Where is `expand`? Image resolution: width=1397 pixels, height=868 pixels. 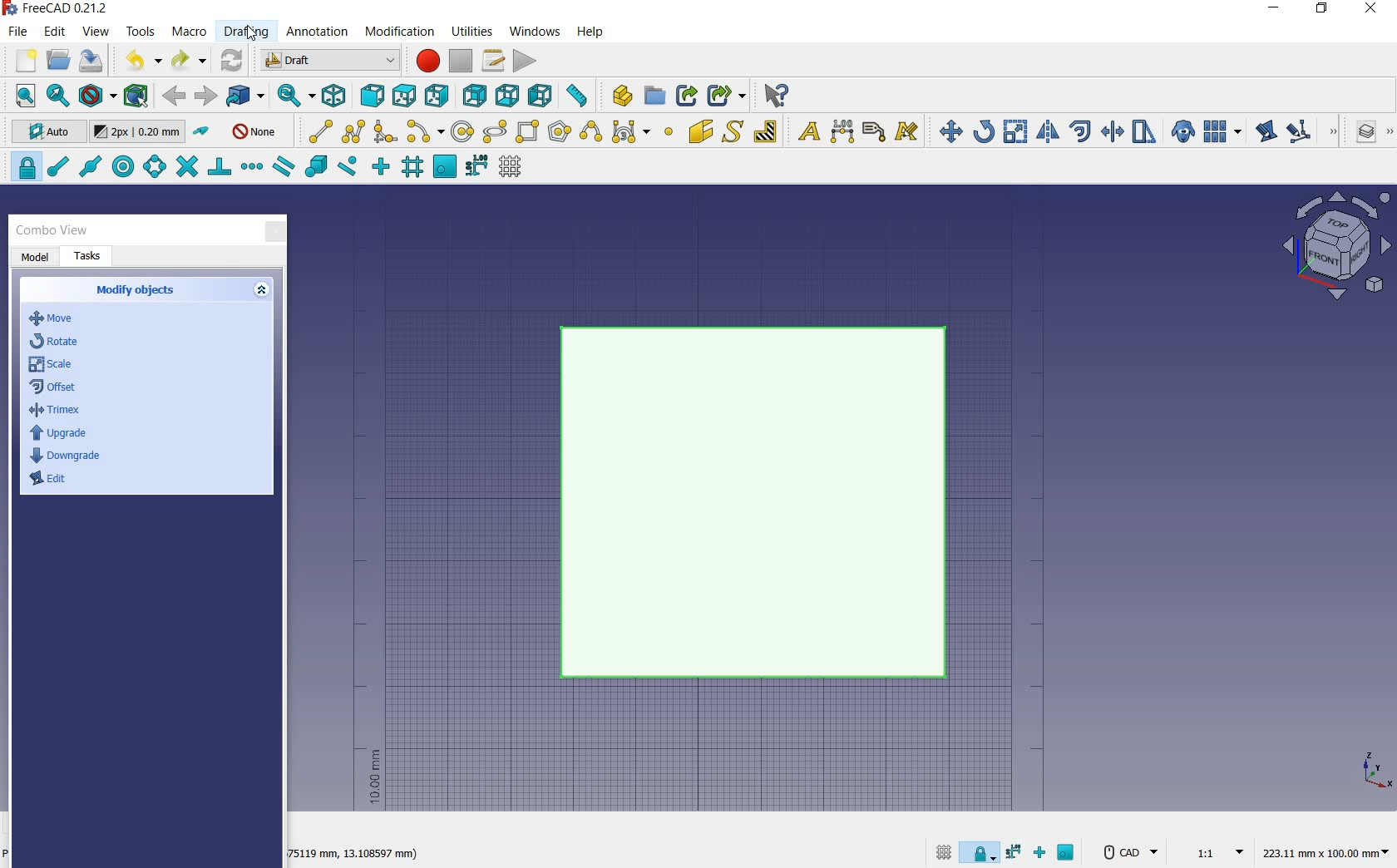 expand is located at coordinates (264, 291).